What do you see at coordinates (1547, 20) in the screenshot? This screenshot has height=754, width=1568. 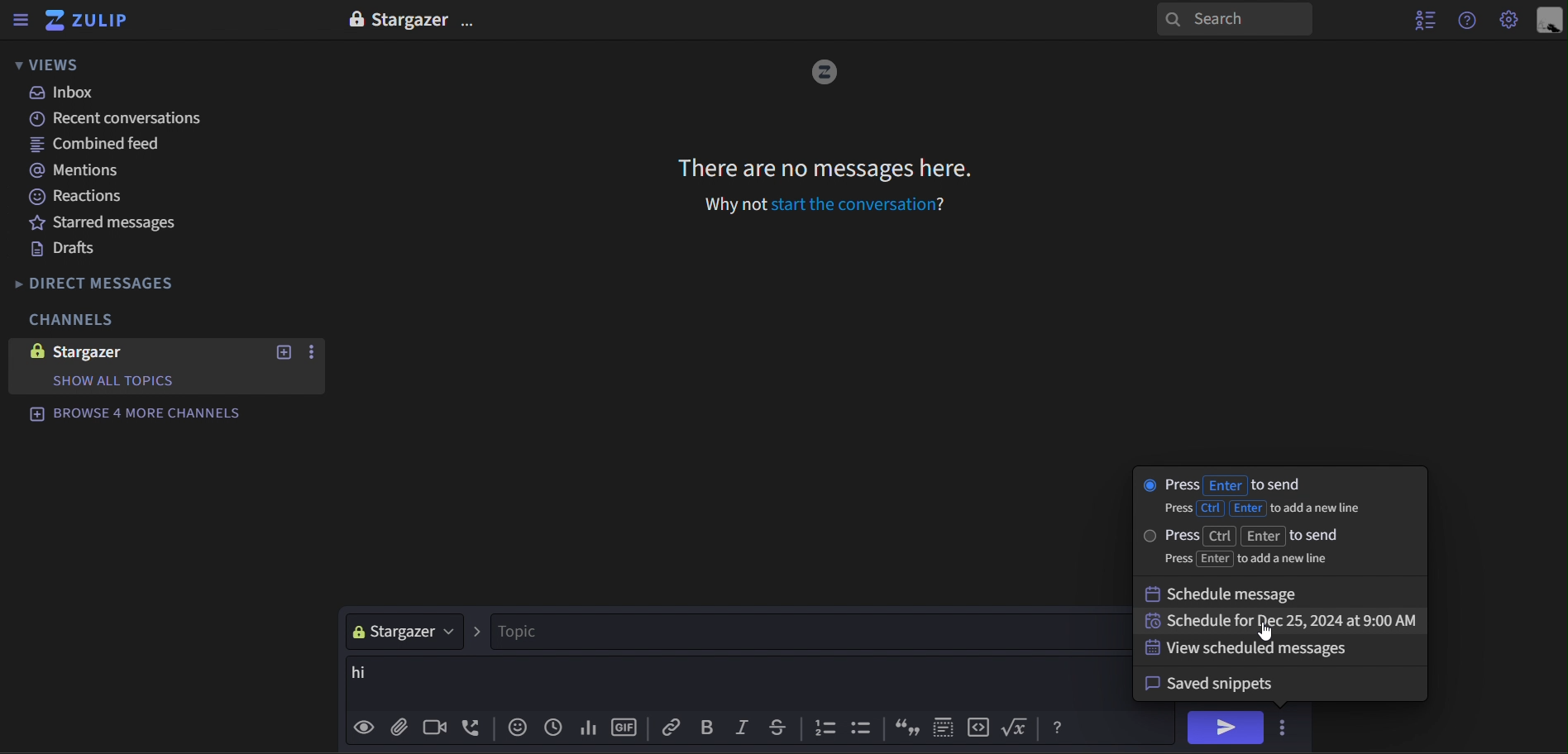 I see `personal menu` at bounding box center [1547, 20].